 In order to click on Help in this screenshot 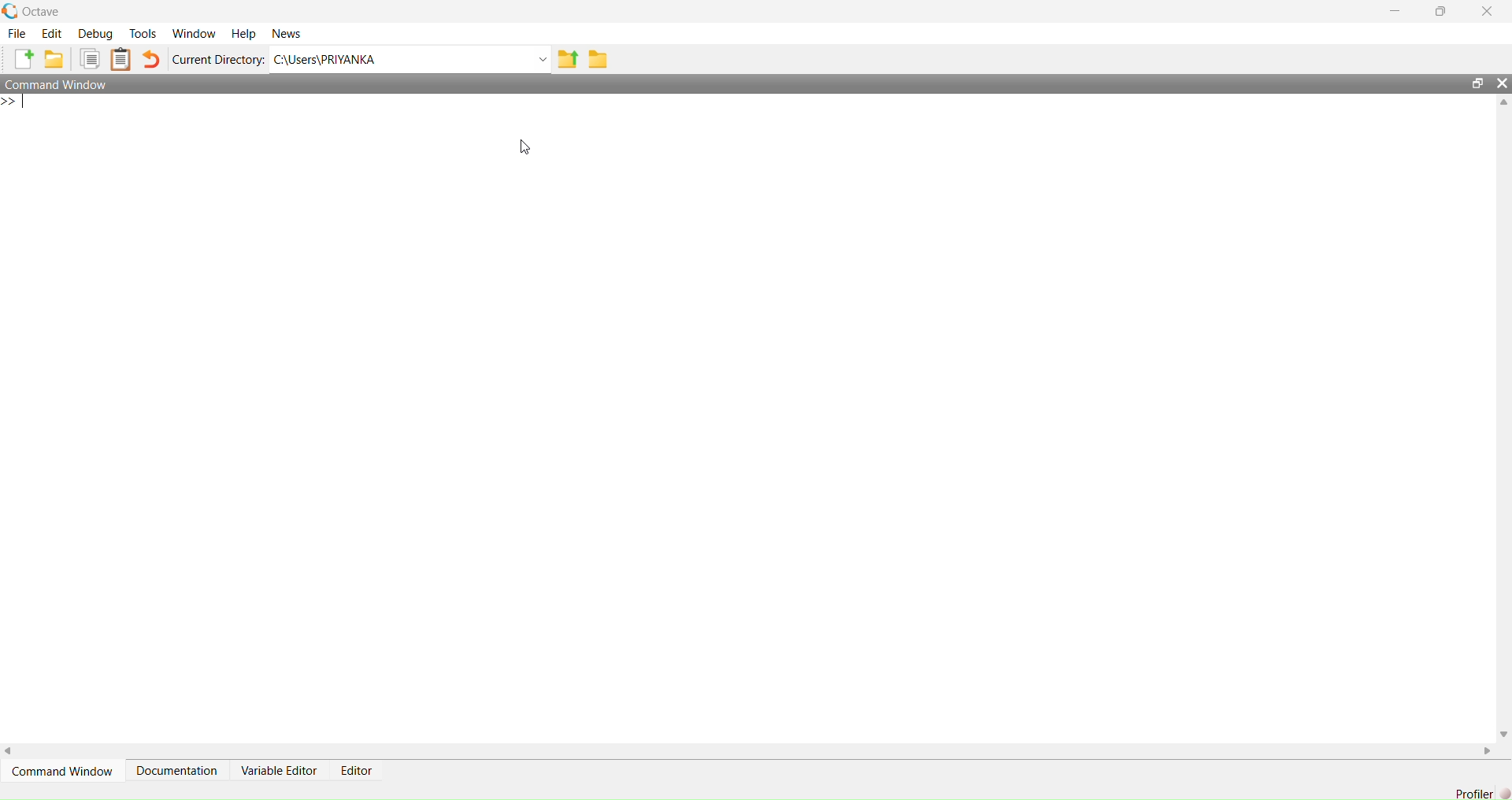, I will do `click(243, 33)`.